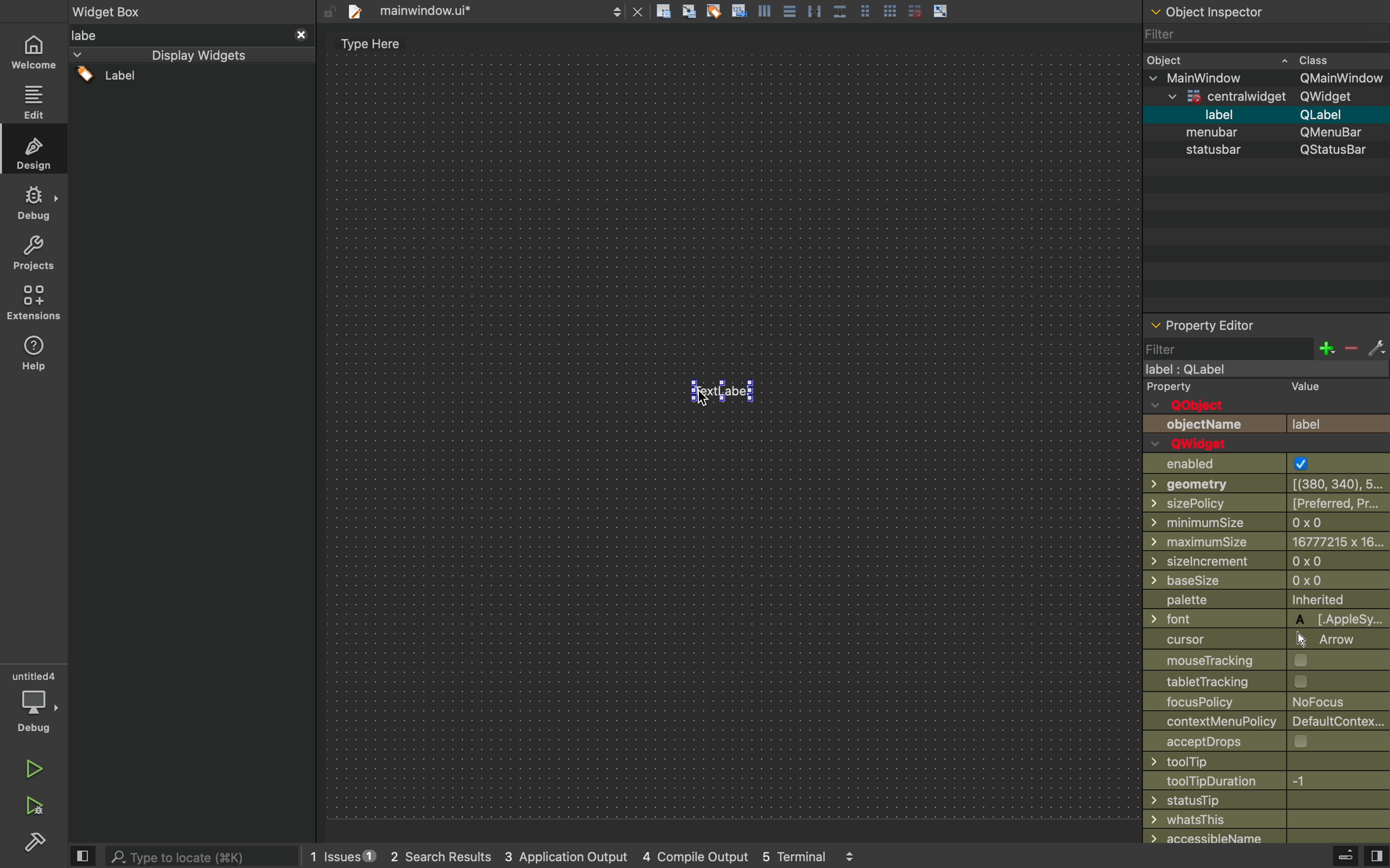  Describe the element at coordinates (33, 99) in the screenshot. I see `edit` at that location.